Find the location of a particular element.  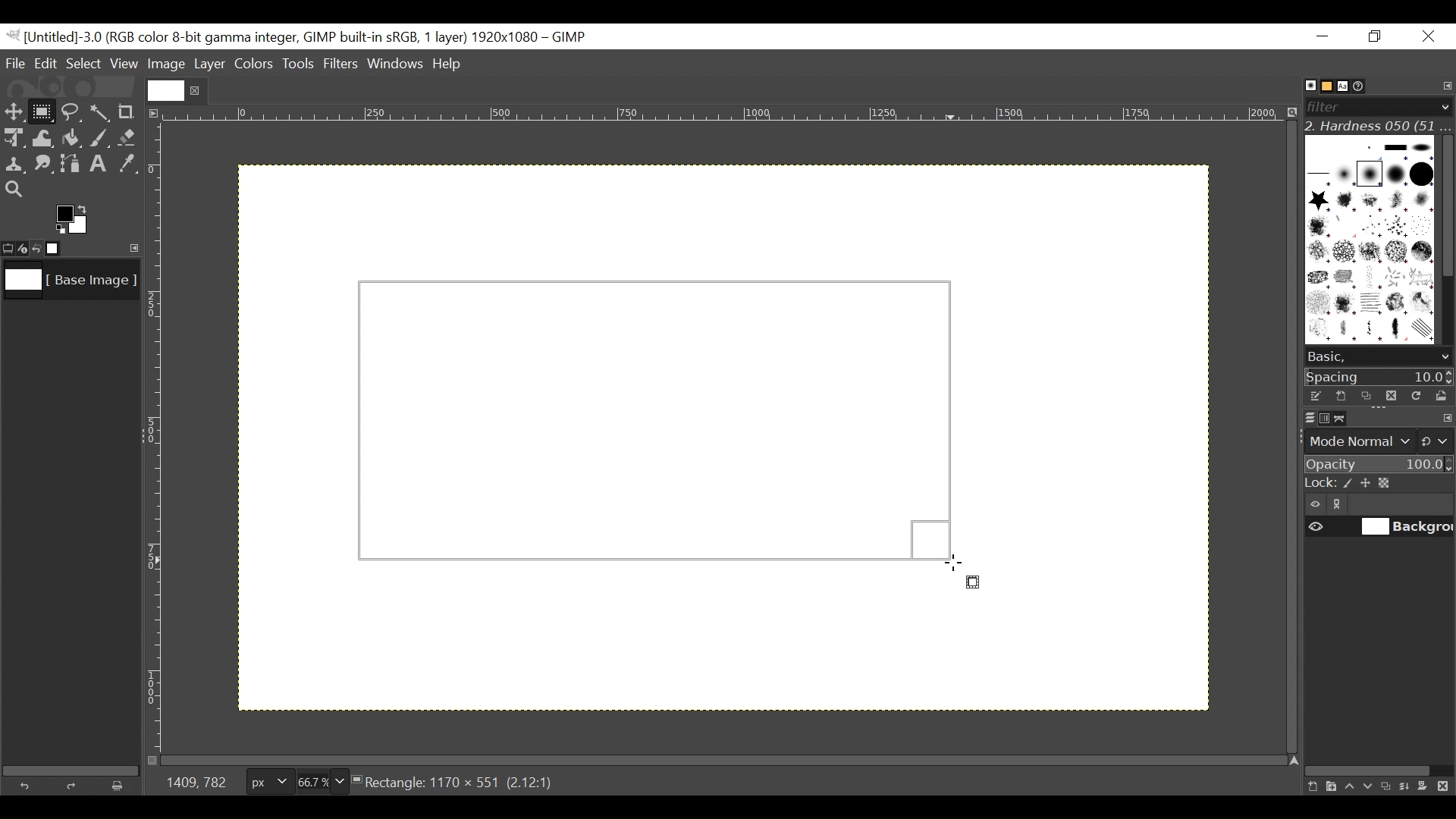

Duplicate this layer is located at coordinates (1389, 786).